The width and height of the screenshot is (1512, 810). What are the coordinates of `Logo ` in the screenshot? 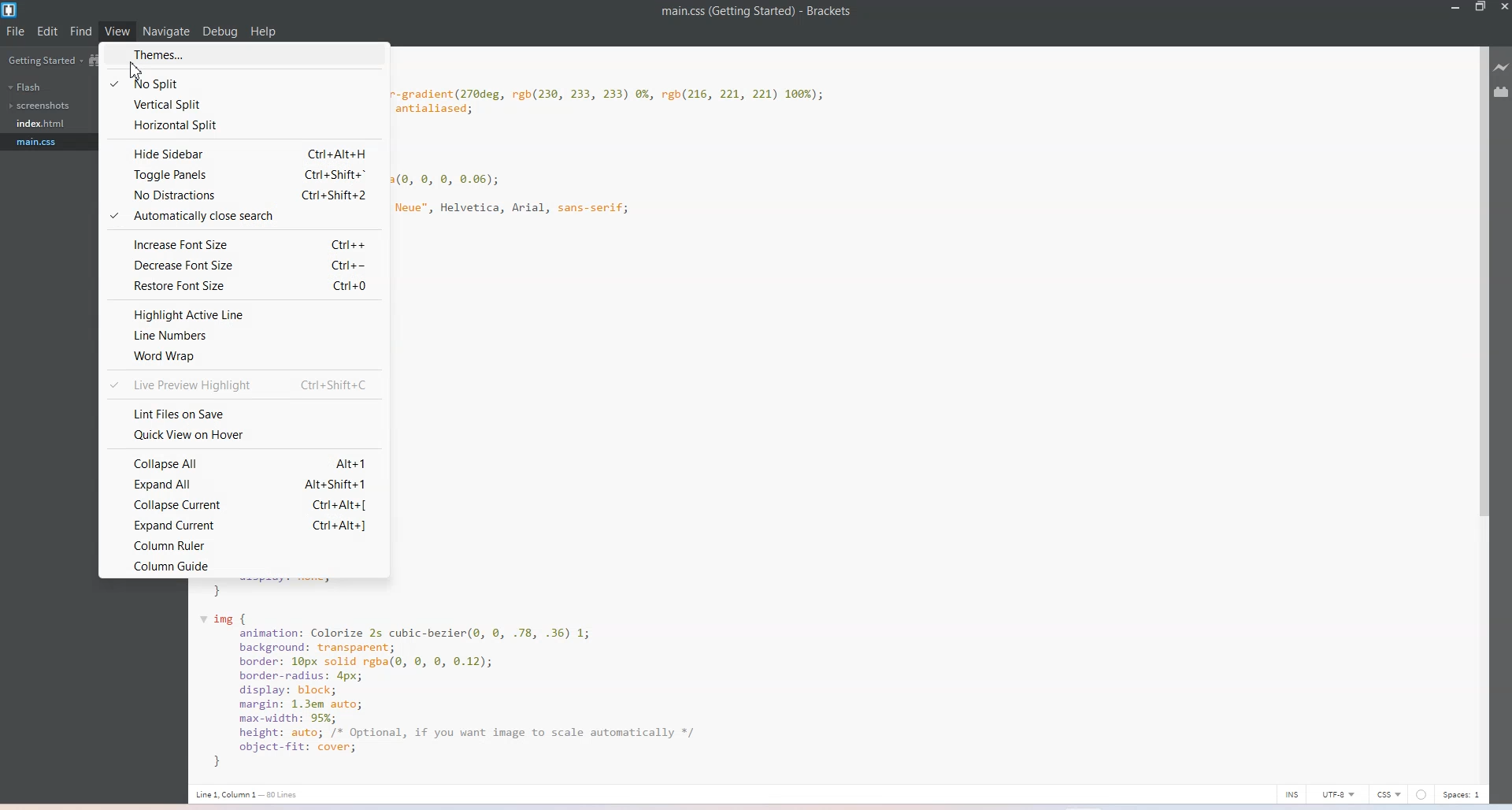 It's located at (10, 9).